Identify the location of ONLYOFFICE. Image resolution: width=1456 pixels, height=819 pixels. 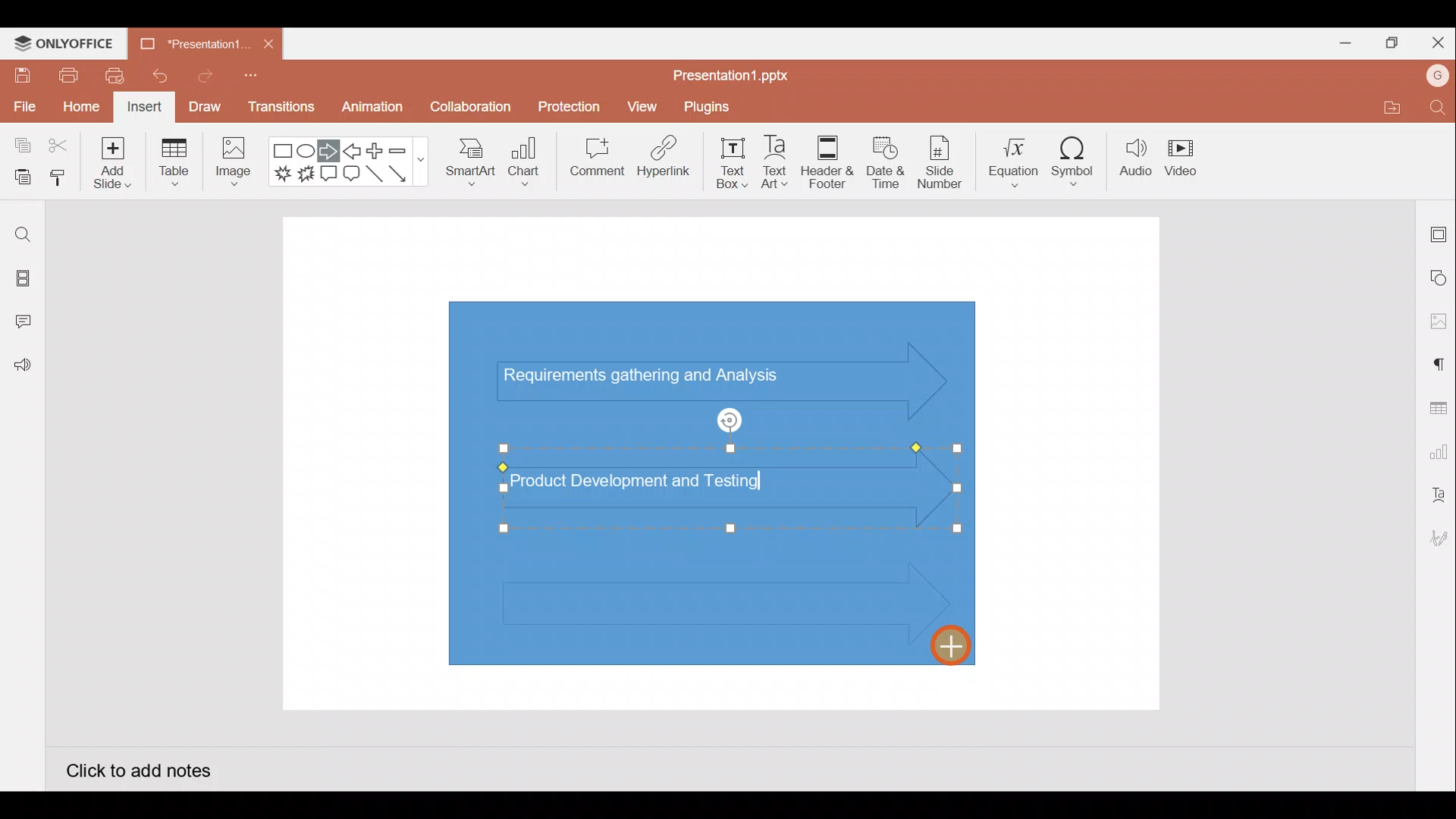
(64, 43).